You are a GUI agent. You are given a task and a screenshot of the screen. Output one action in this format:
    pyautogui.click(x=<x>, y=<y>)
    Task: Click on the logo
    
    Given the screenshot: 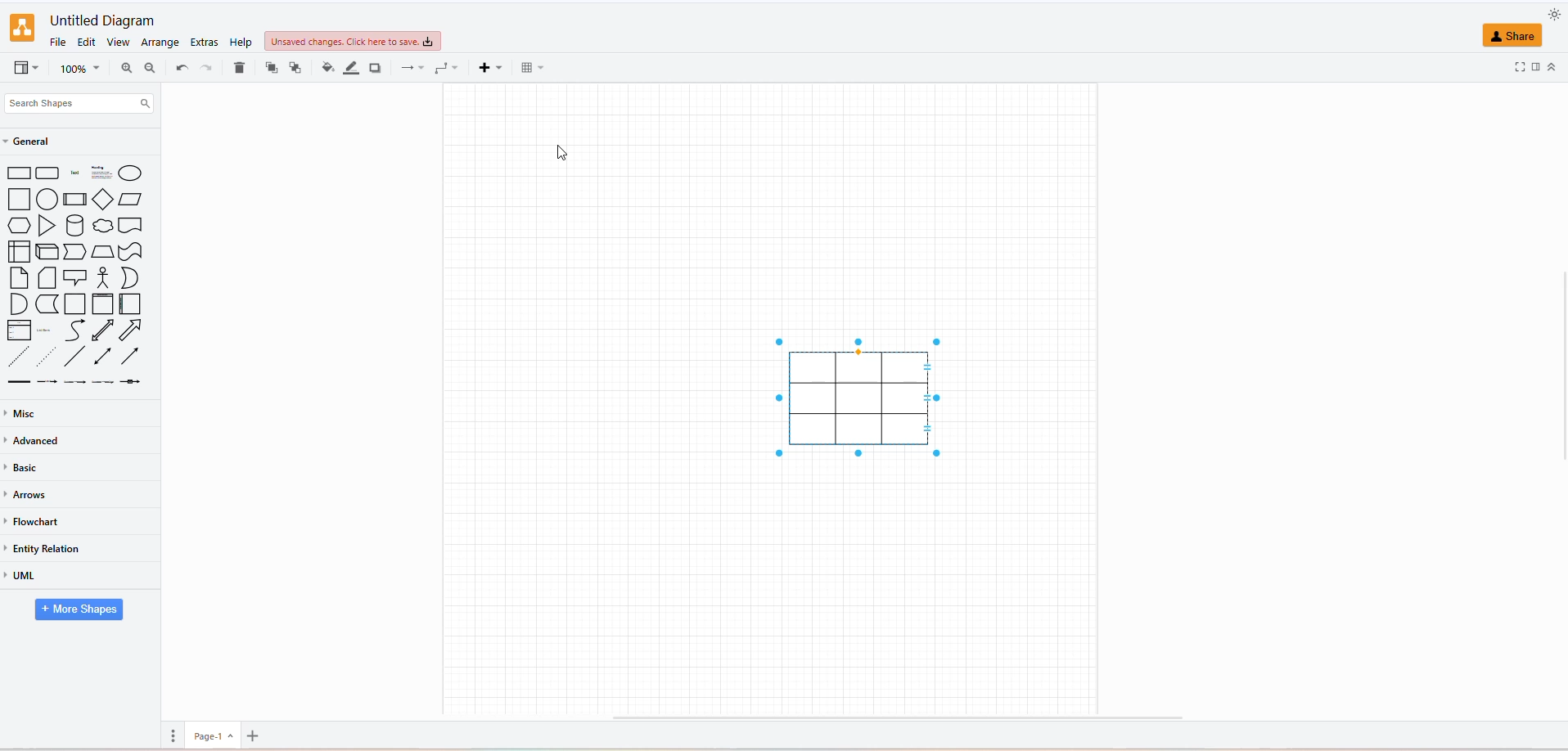 What is the action you would take?
    pyautogui.click(x=23, y=27)
    